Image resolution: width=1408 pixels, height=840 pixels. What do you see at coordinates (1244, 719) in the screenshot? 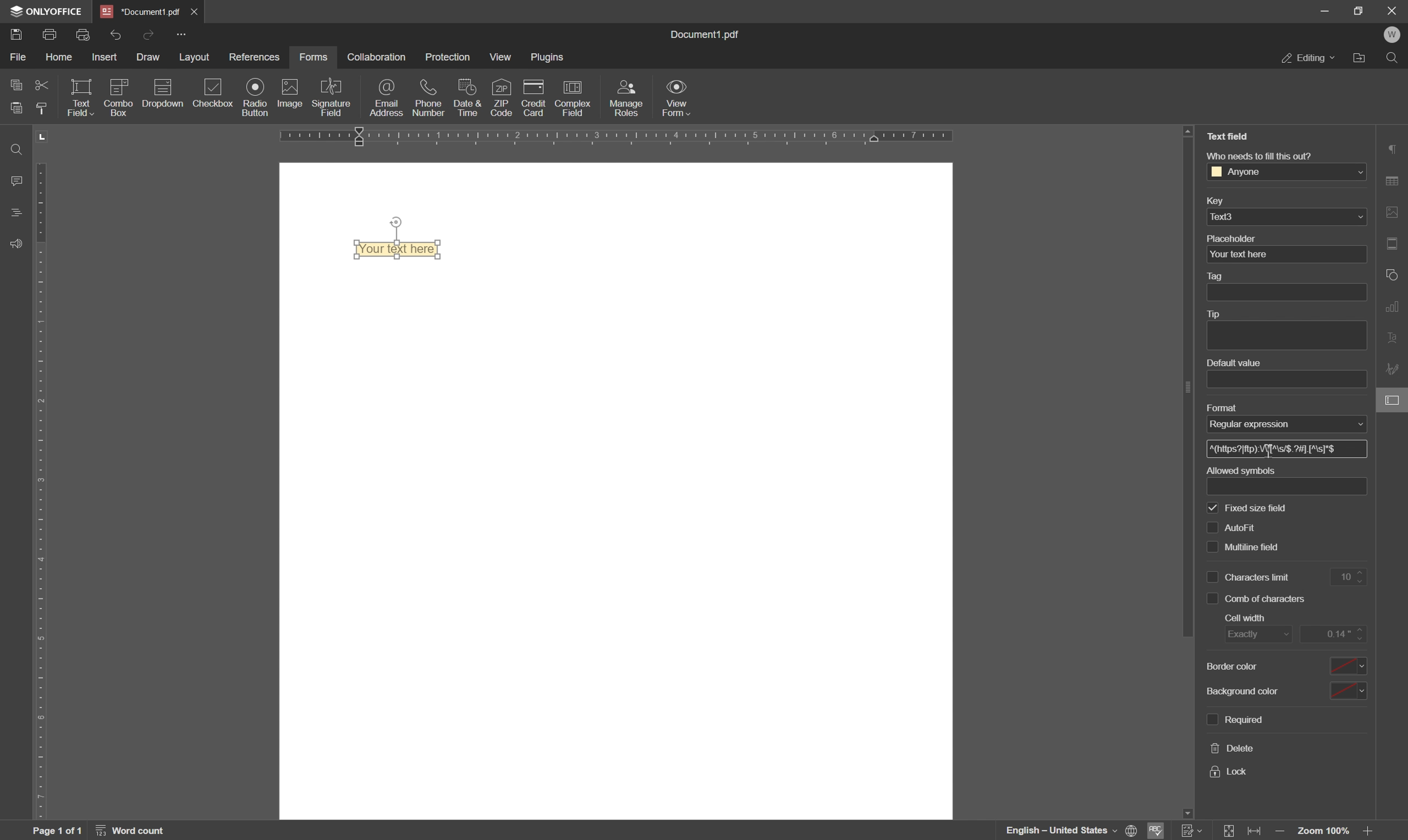
I see `required` at bounding box center [1244, 719].